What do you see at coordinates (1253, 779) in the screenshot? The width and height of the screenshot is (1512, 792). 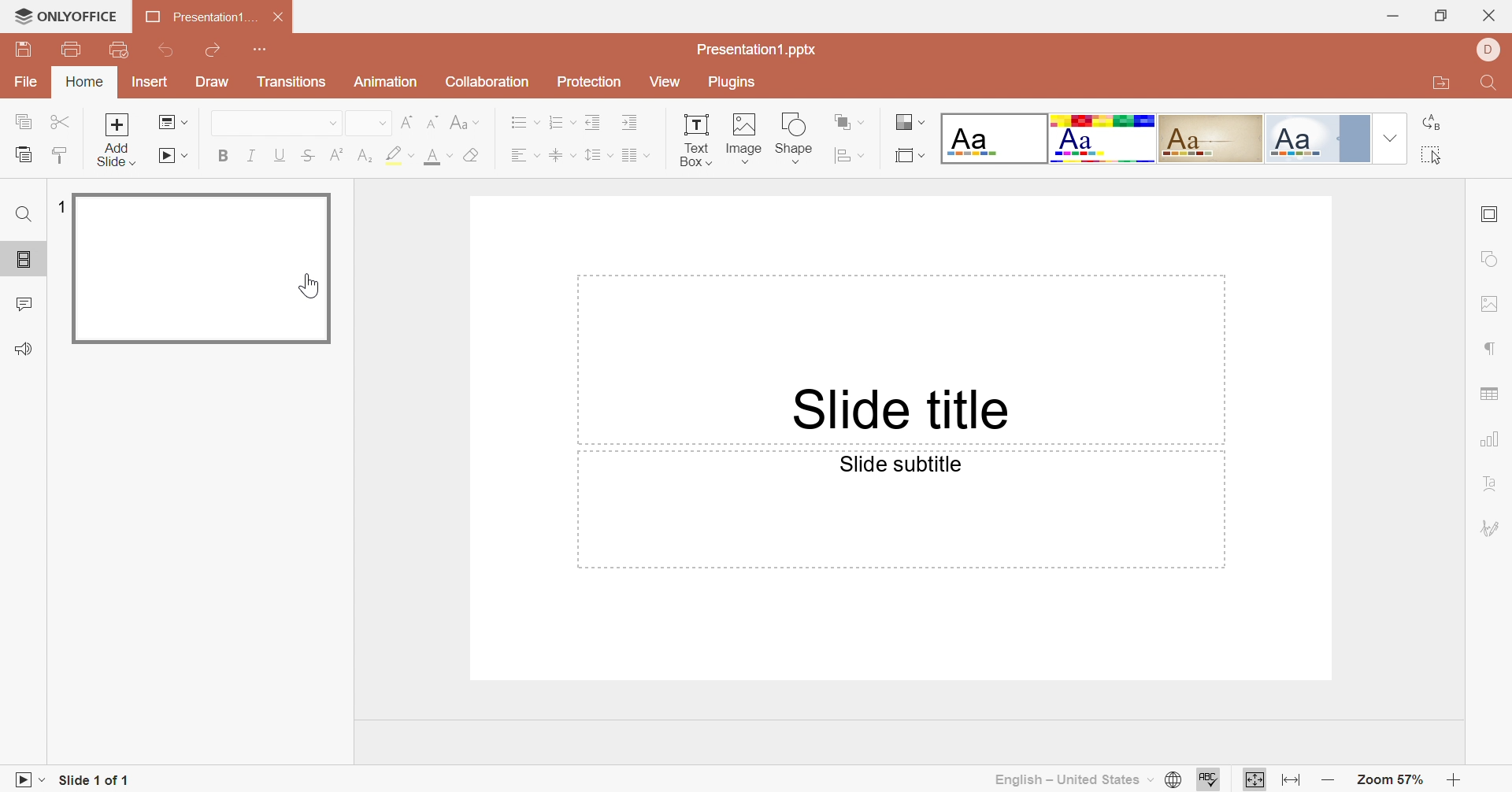 I see `Fit to slide` at bounding box center [1253, 779].